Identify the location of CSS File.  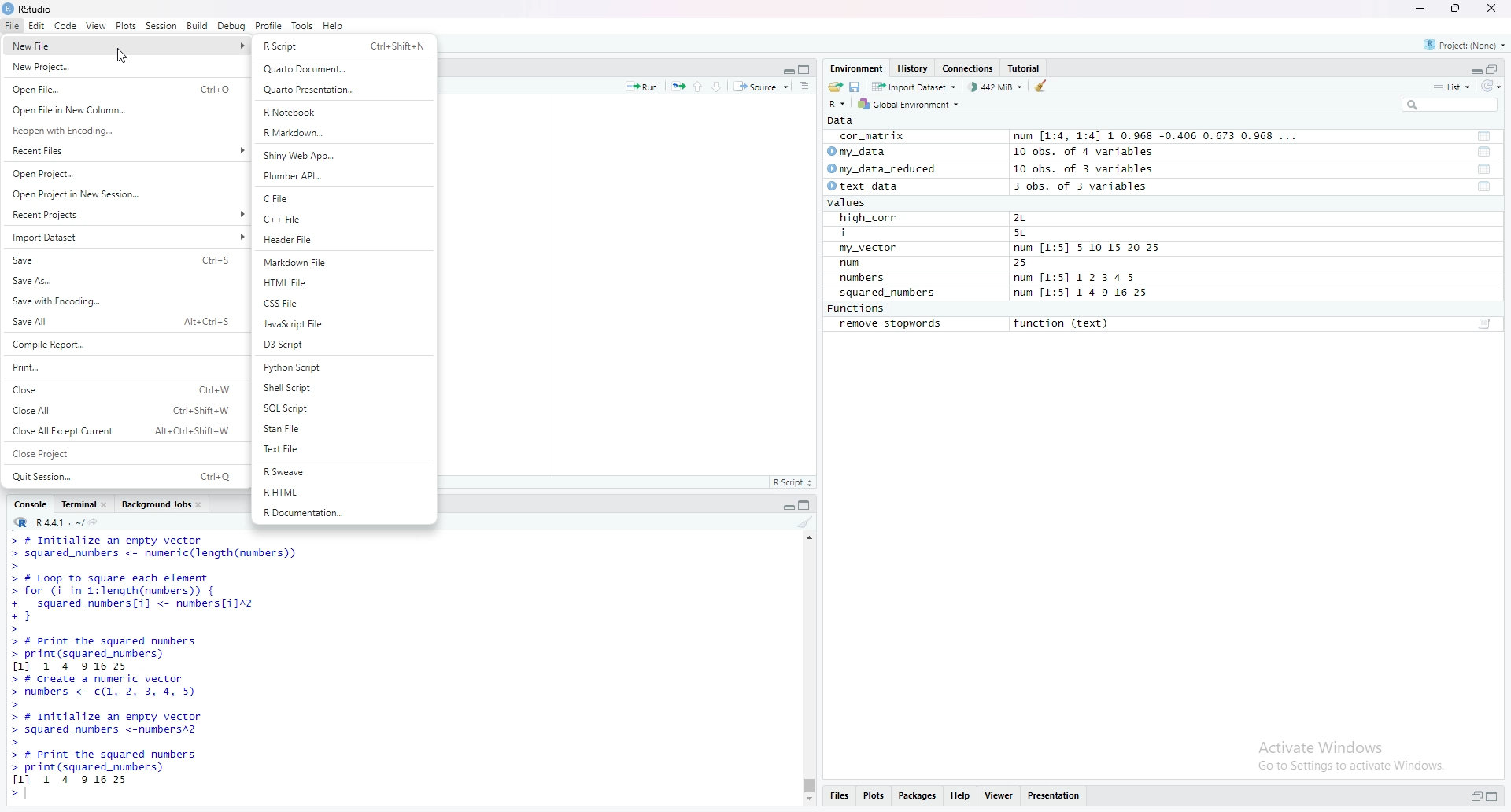
(345, 303).